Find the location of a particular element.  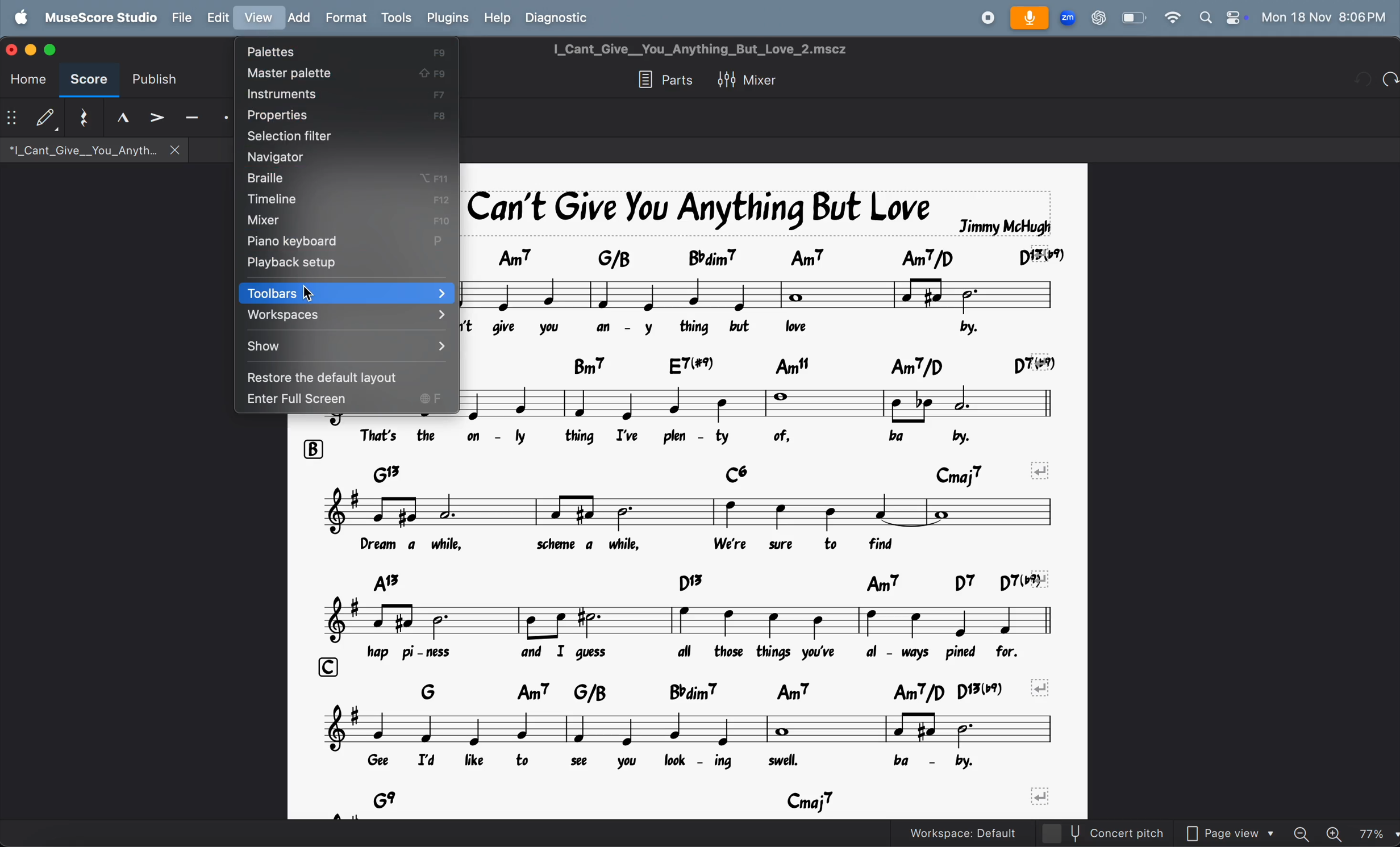

zoom out is located at coordinates (1302, 834).